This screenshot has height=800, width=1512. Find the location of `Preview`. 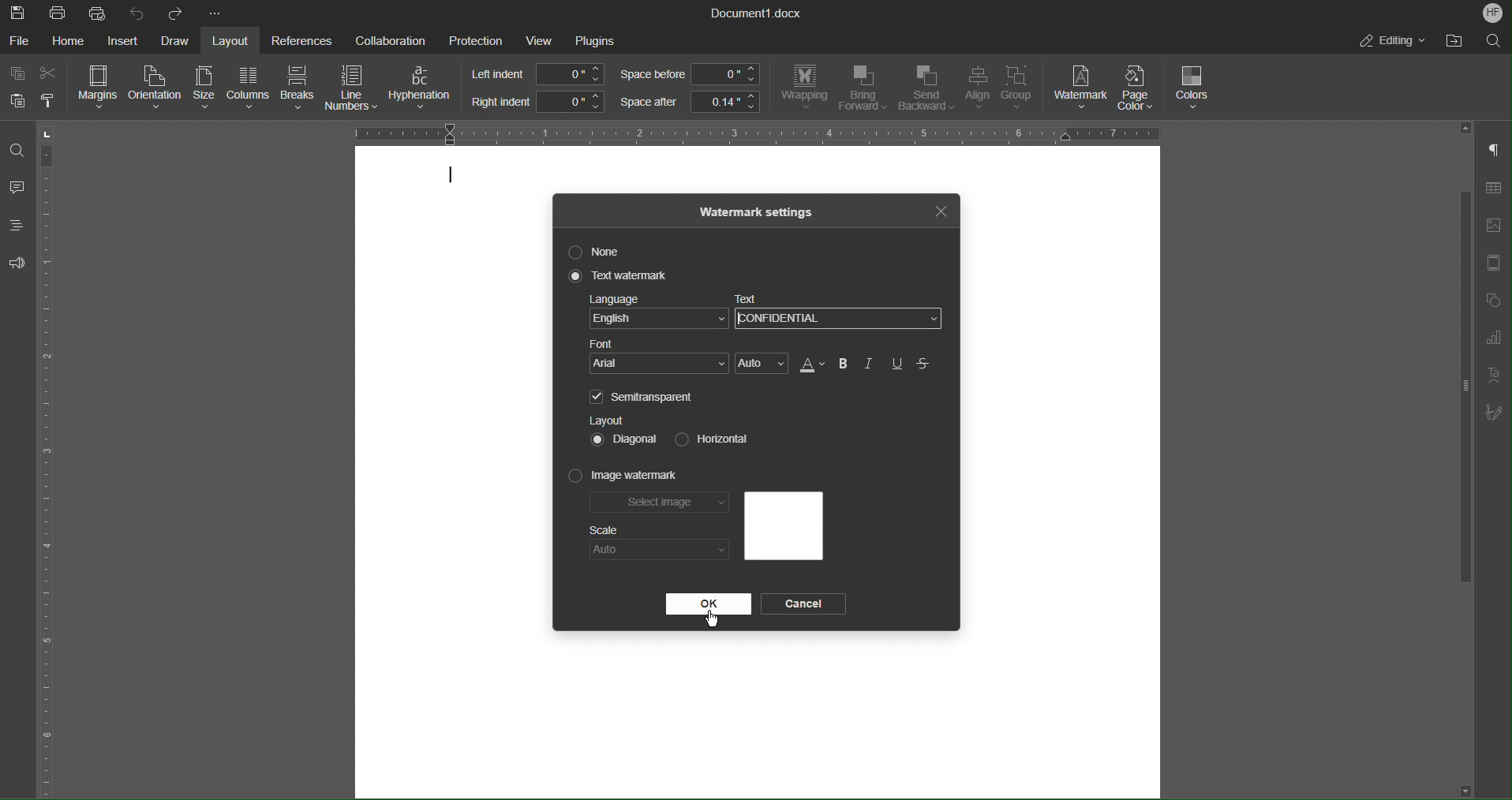

Preview is located at coordinates (783, 526).